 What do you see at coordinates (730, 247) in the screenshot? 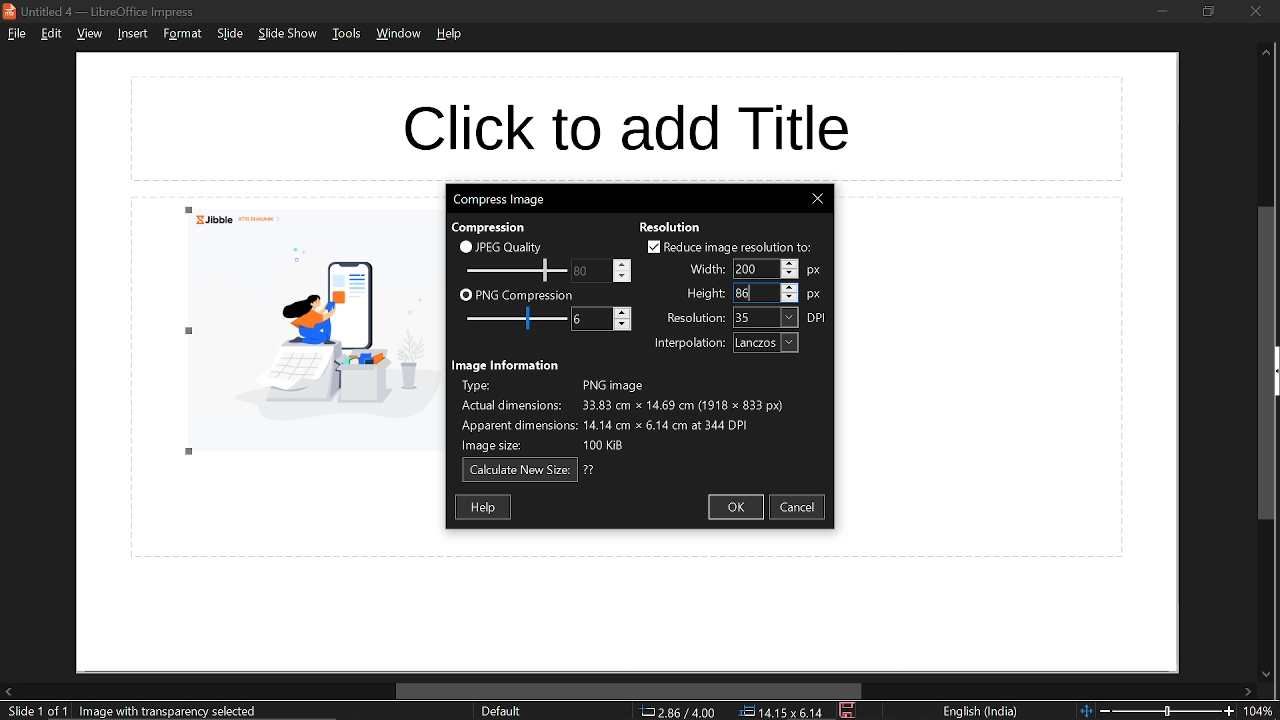
I see `reduce image resolution to` at bounding box center [730, 247].